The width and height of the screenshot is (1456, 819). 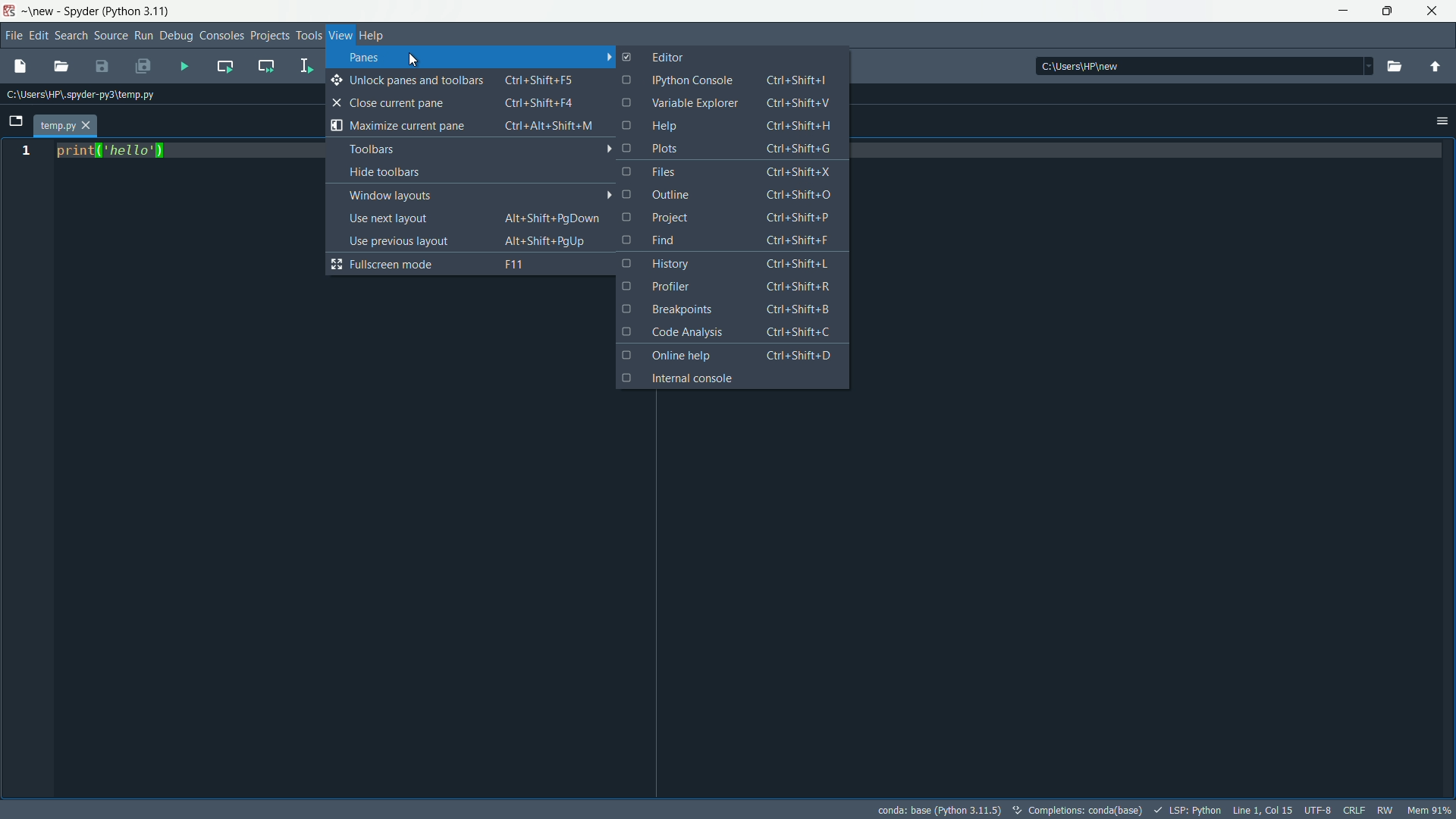 What do you see at coordinates (70, 37) in the screenshot?
I see `search menu` at bounding box center [70, 37].